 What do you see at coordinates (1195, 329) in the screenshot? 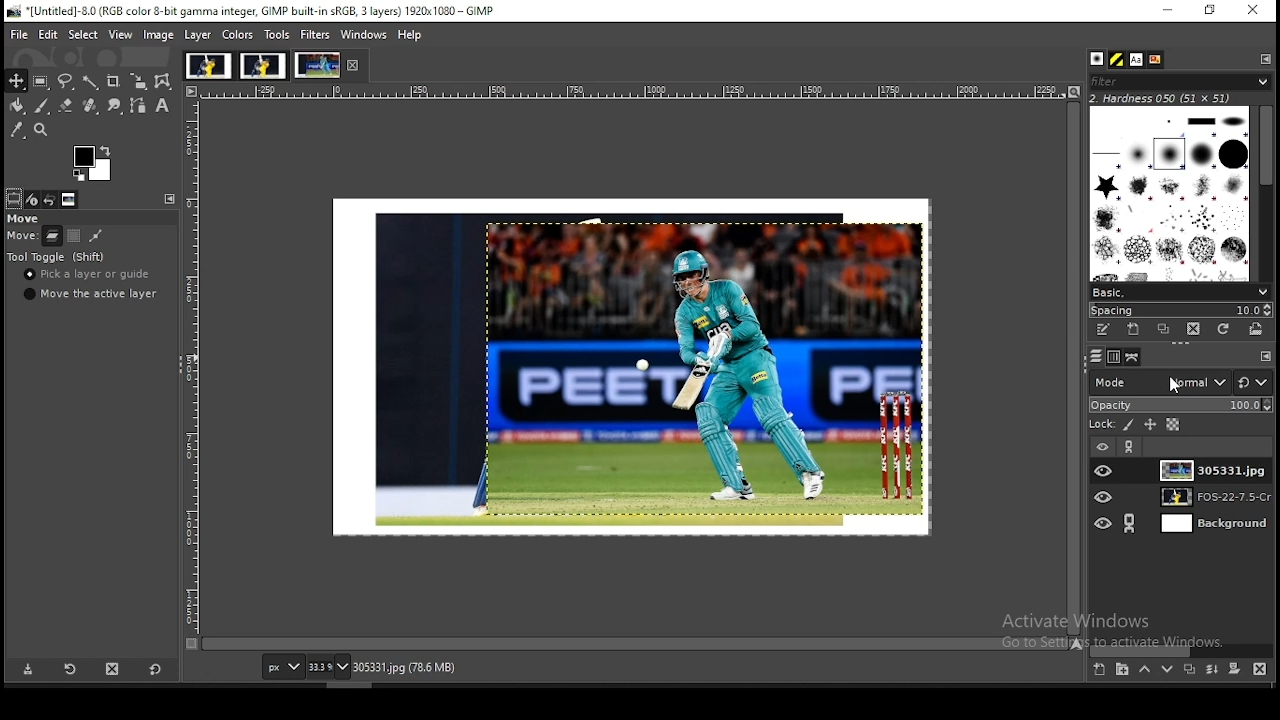
I see `delete brush` at bounding box center [1195, 329].